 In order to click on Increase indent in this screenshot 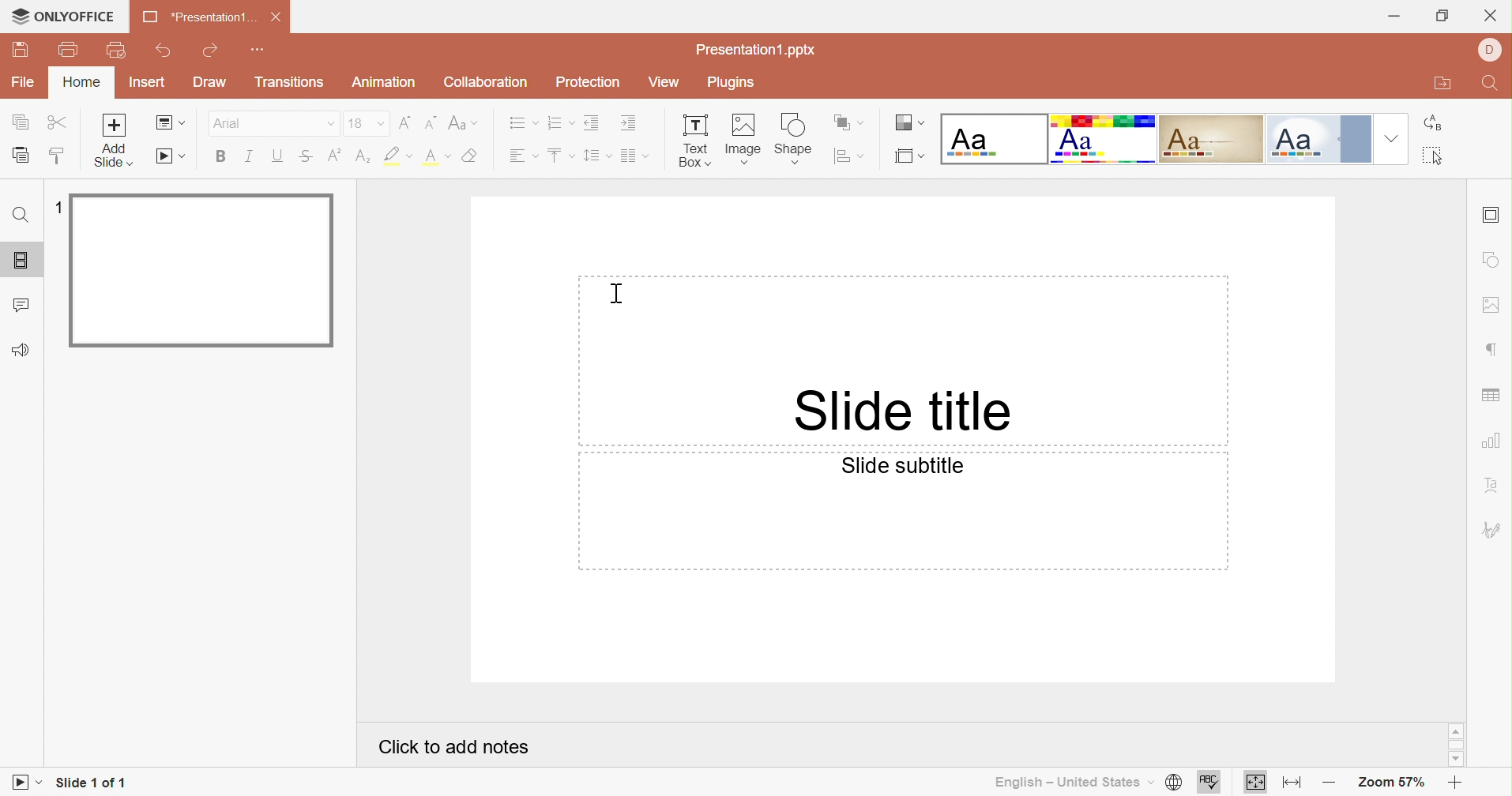, I will do `click(629, 123)`.